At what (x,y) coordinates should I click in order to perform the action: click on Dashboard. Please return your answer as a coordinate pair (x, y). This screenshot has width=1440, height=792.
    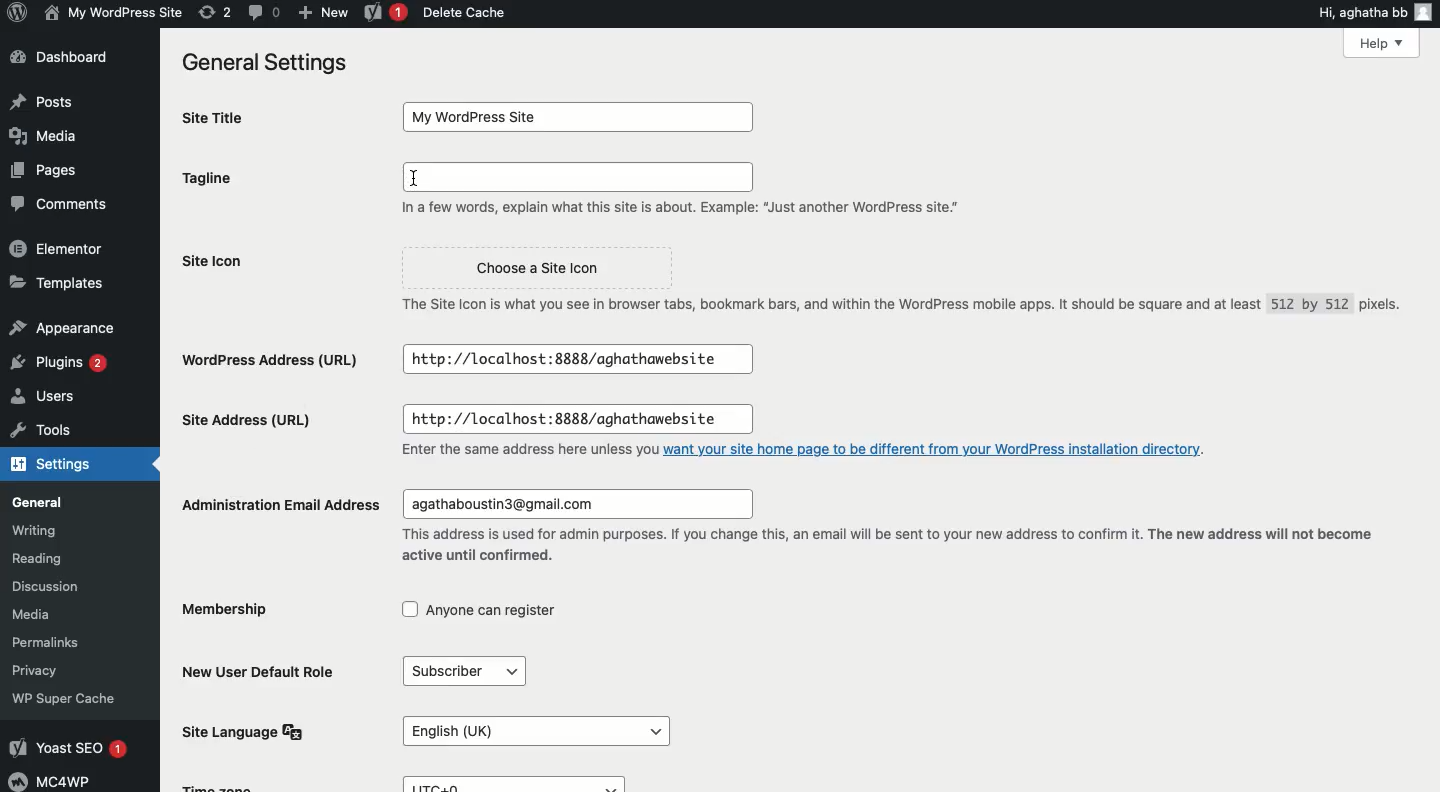
    Looking at the image, I should click on (65, 58).